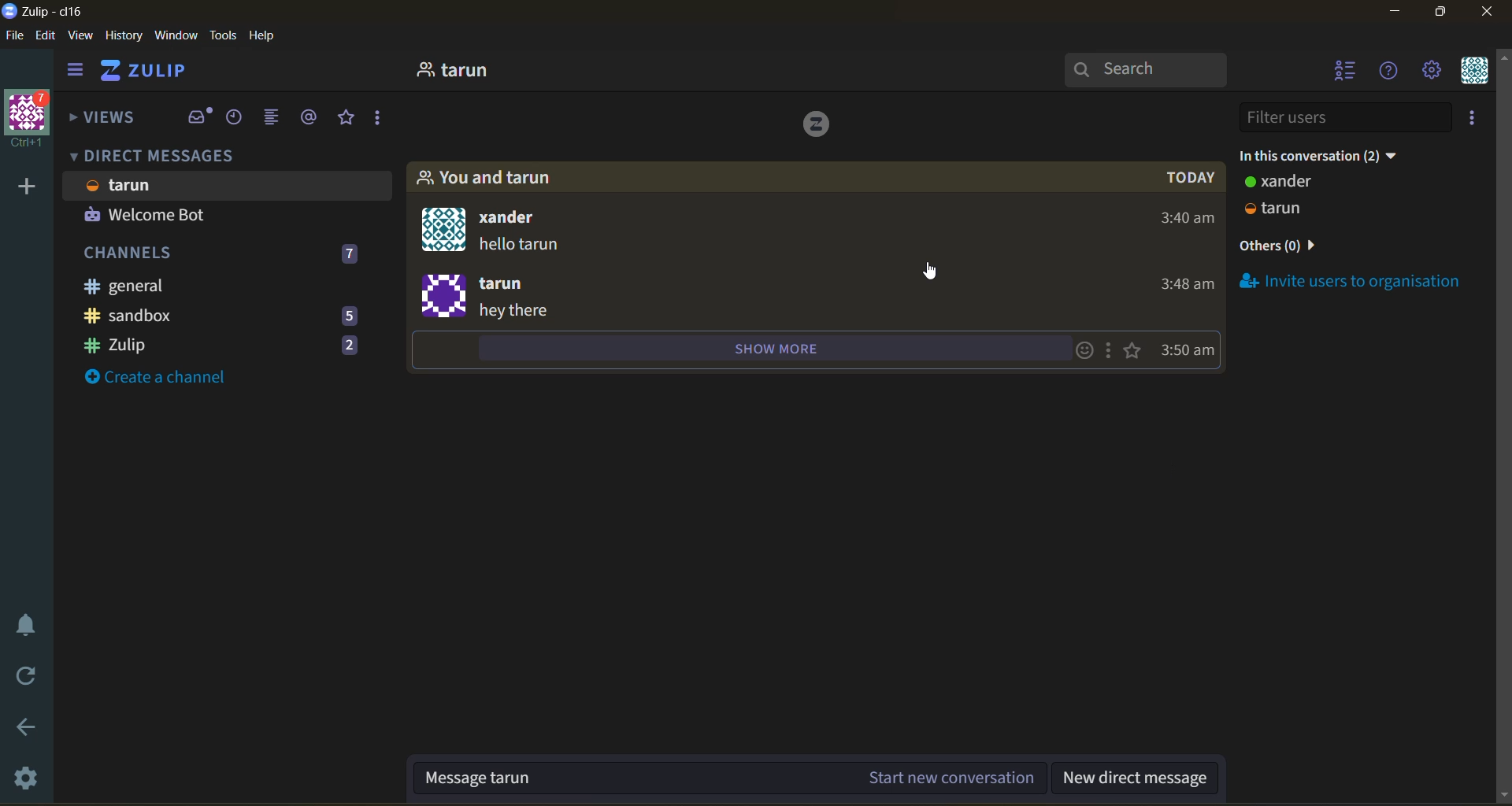 The image size is (1512, 806). Describe the element at coordinates (1389, 71) in the screenshot. I see `help menue` at that location.